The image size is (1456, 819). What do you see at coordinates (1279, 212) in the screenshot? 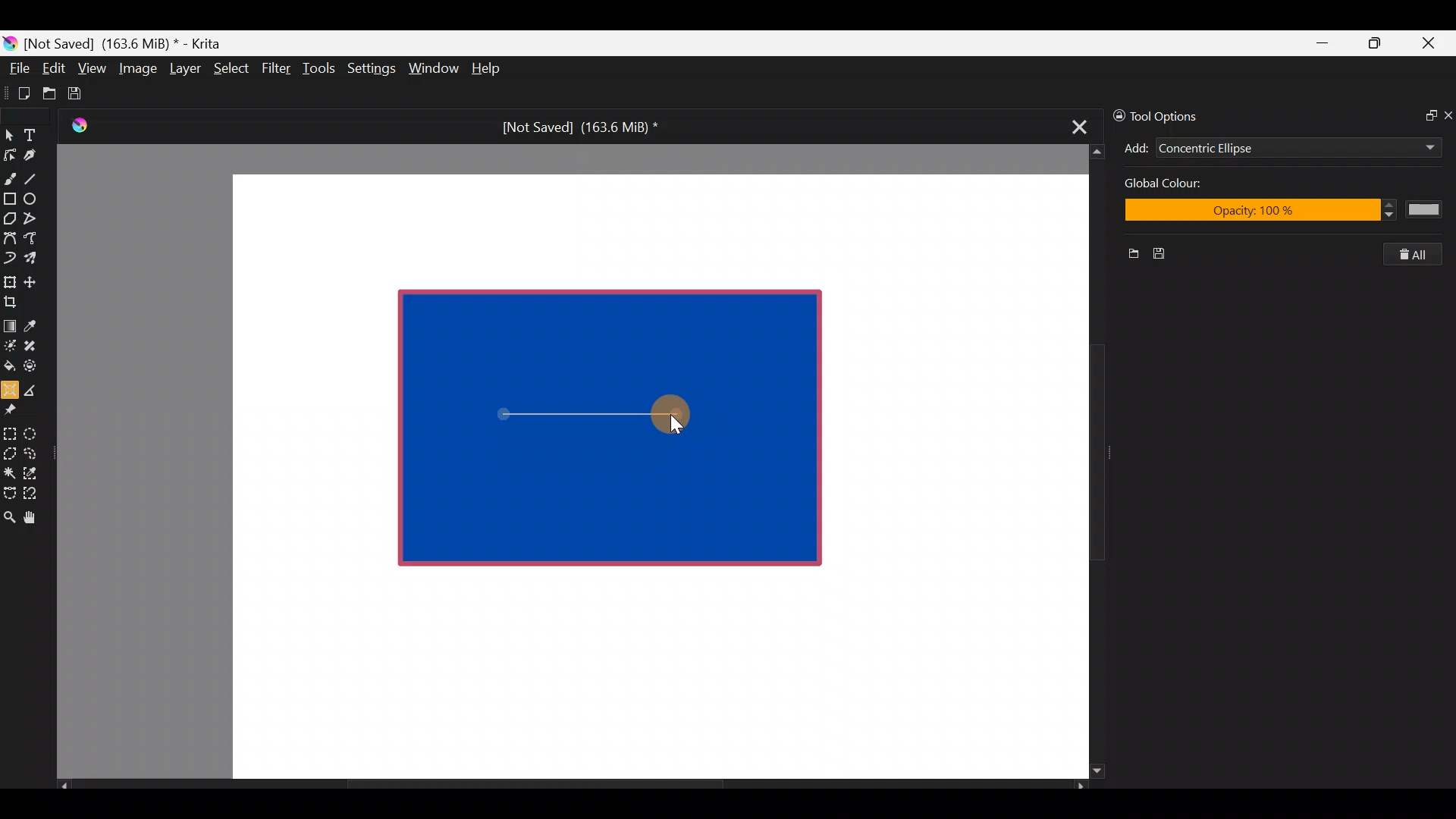
I see `Opacity:100%` at bounding box center [1279, 212].